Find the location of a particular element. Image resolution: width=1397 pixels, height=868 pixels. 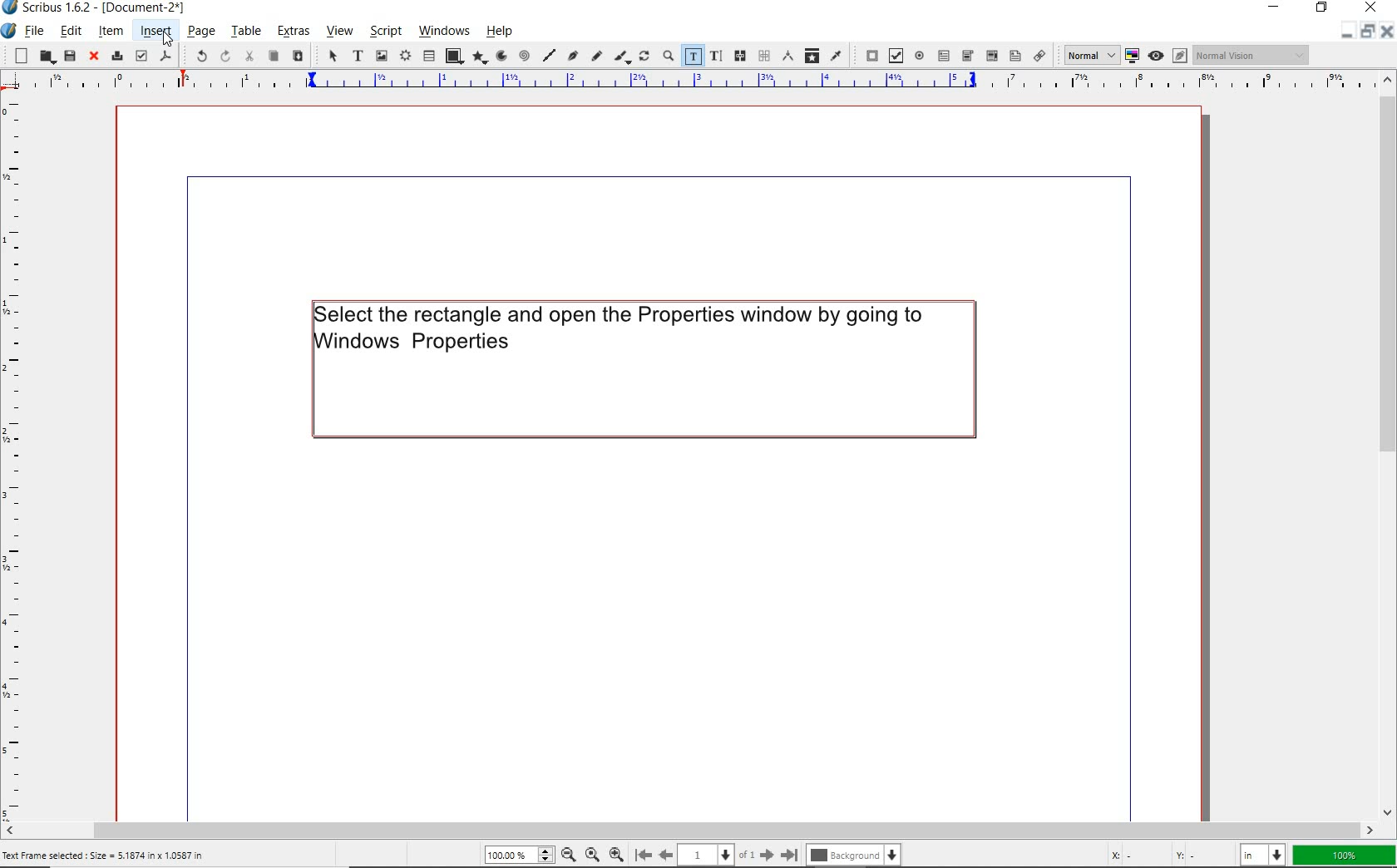

Normal is located at coordinates (1086, 54).